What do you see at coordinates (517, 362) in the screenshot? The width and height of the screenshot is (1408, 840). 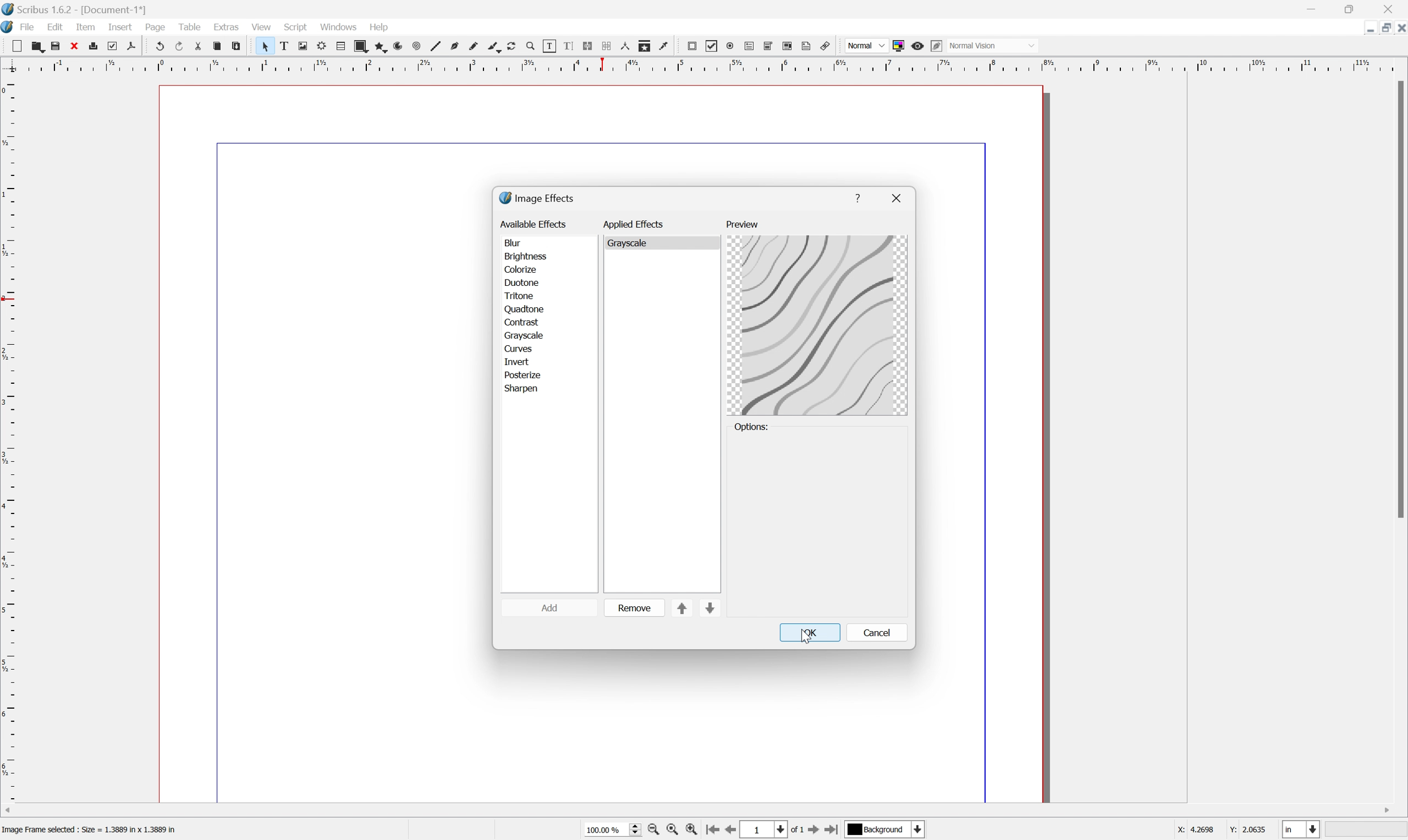 I see `invert` at bounding box center [517, 362].